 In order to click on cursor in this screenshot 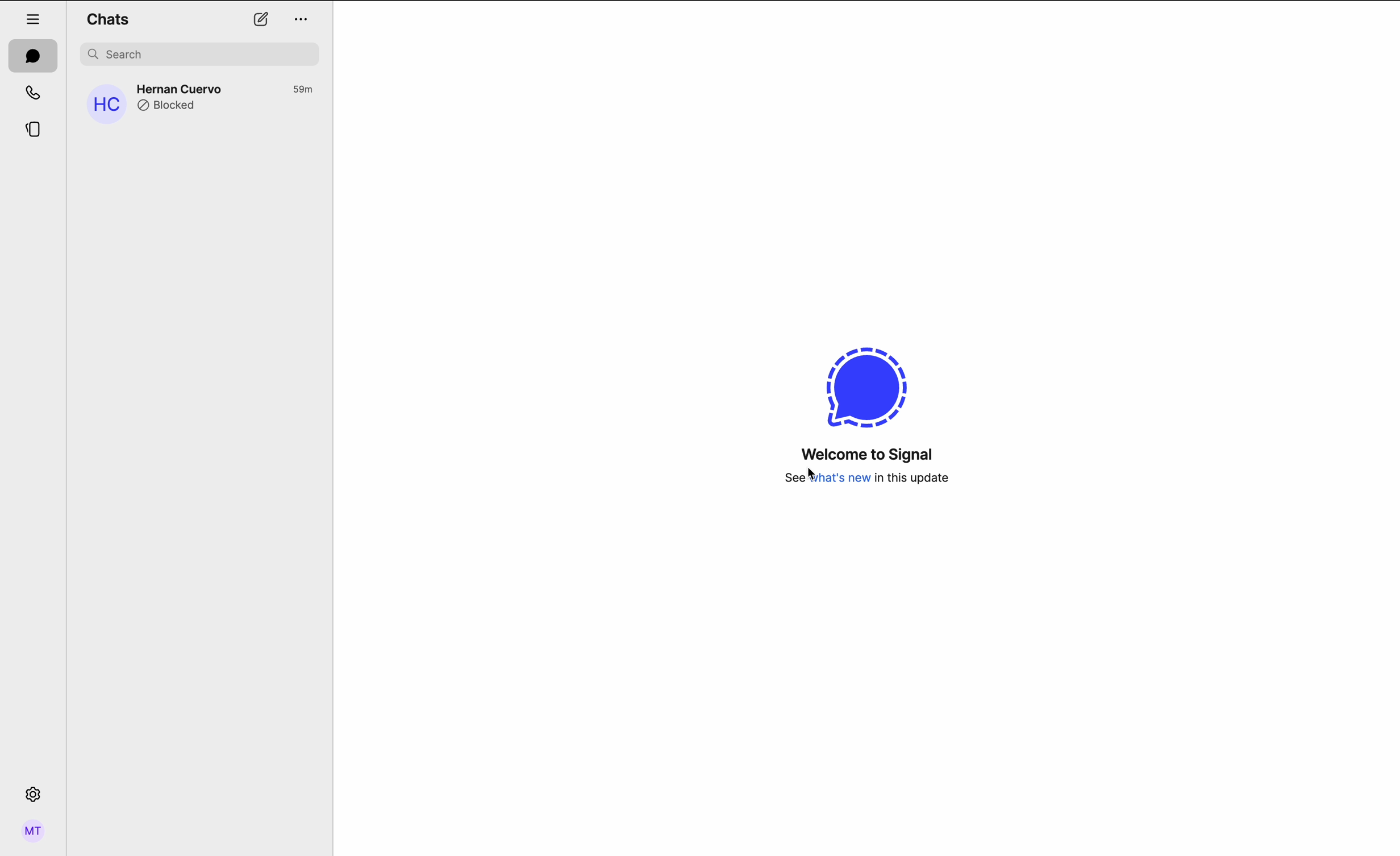, I will do `click(814, 476)`.